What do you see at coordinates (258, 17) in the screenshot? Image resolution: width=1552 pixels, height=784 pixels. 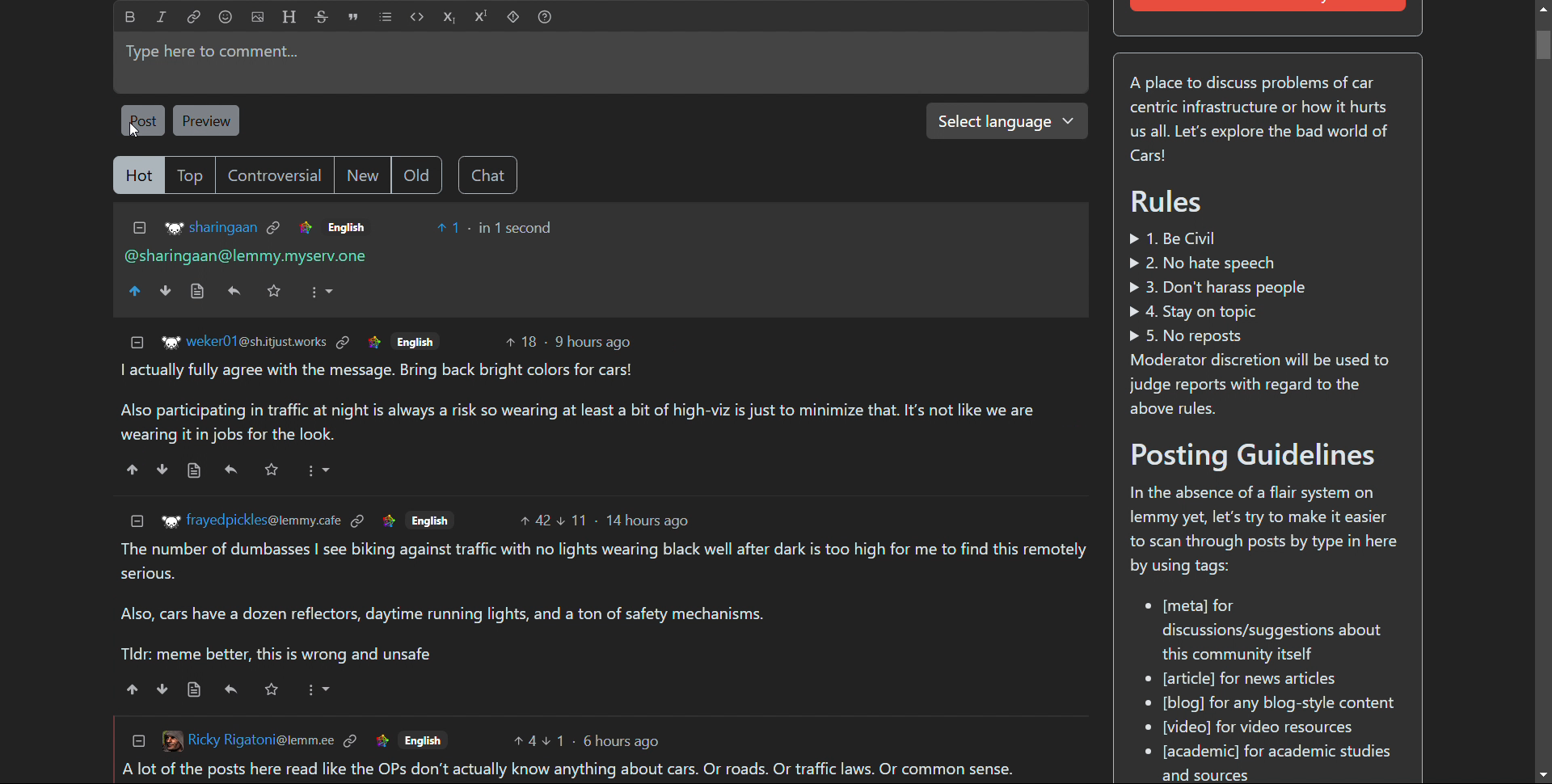 I see `add image` at bounding box center [258, 17].